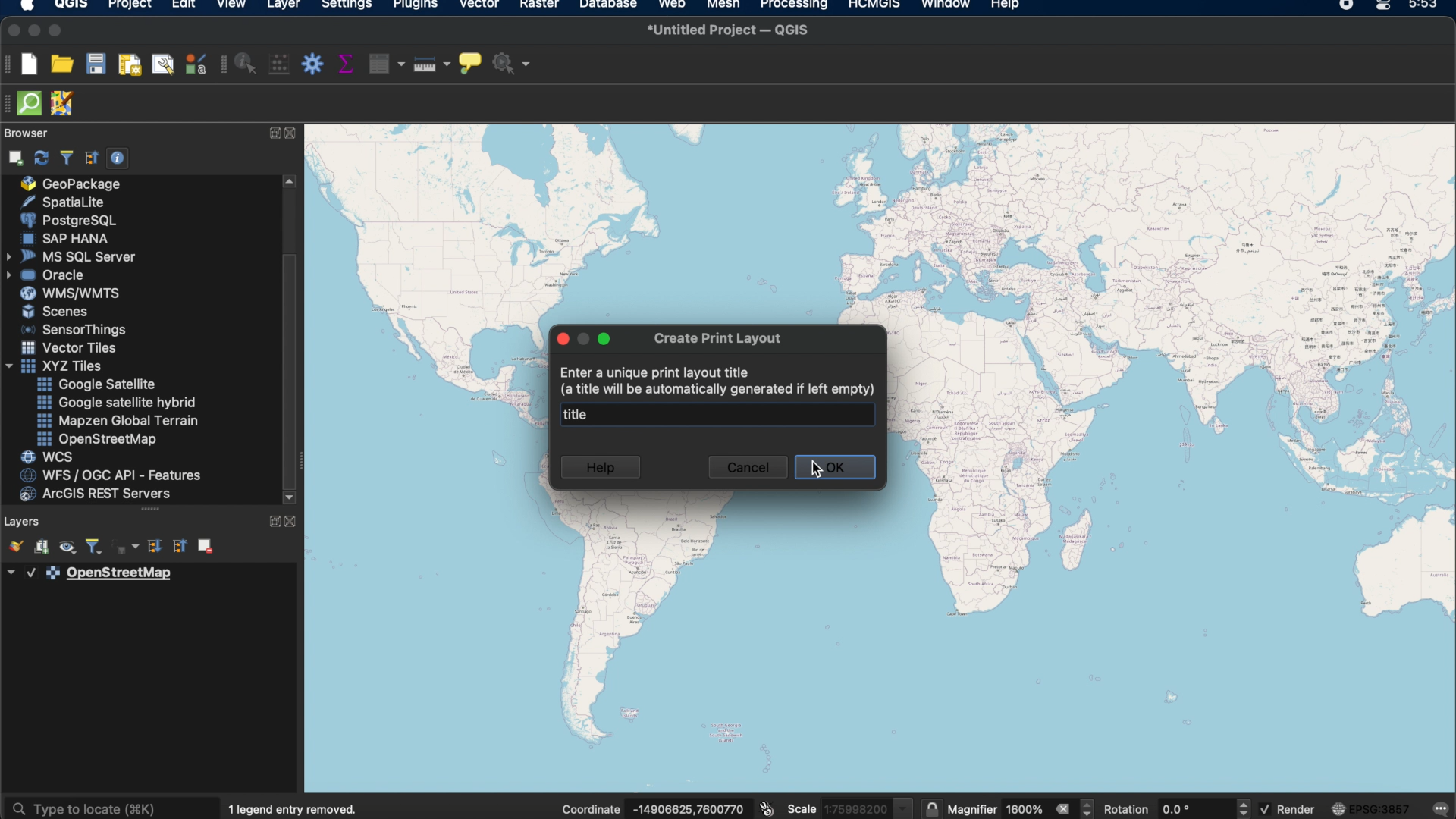 This screenshot has height=819, width=1456. I want to click on lock scale, so click(932, 806).